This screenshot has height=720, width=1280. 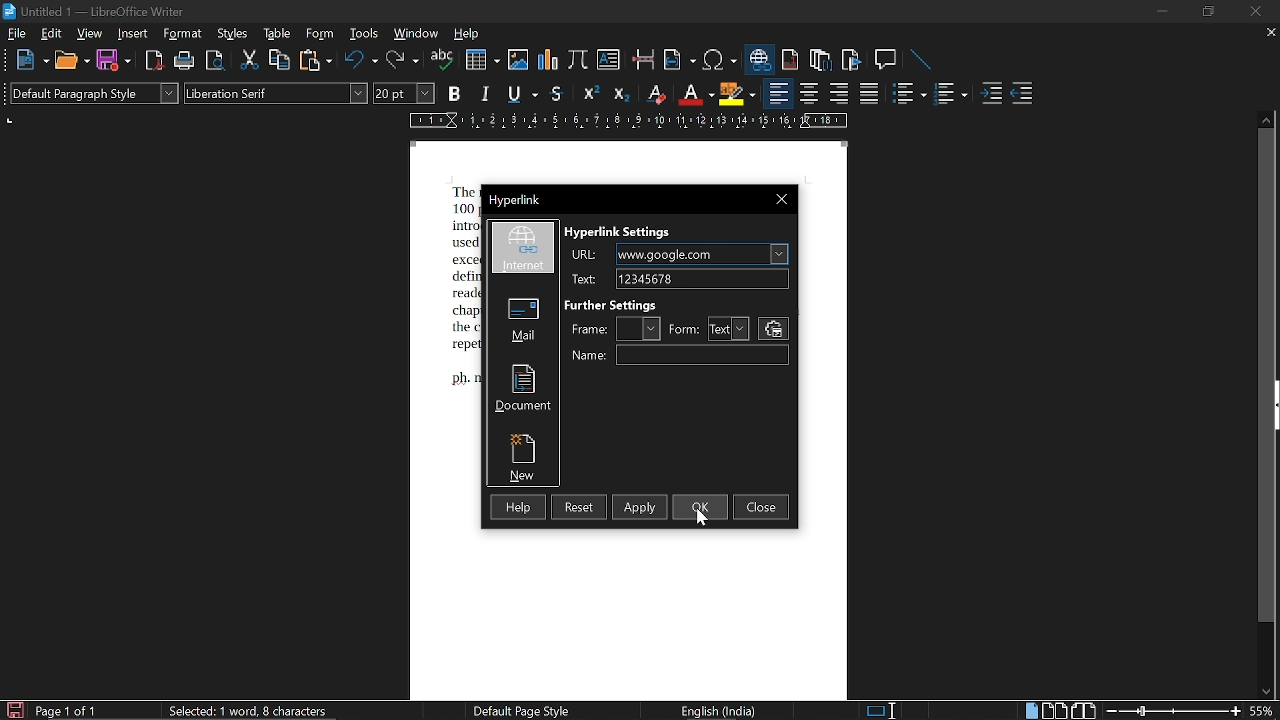 What do you see at coordinates (522, 711) in the screenshot?
I see `Default page style` at bounding box center [522, 711].